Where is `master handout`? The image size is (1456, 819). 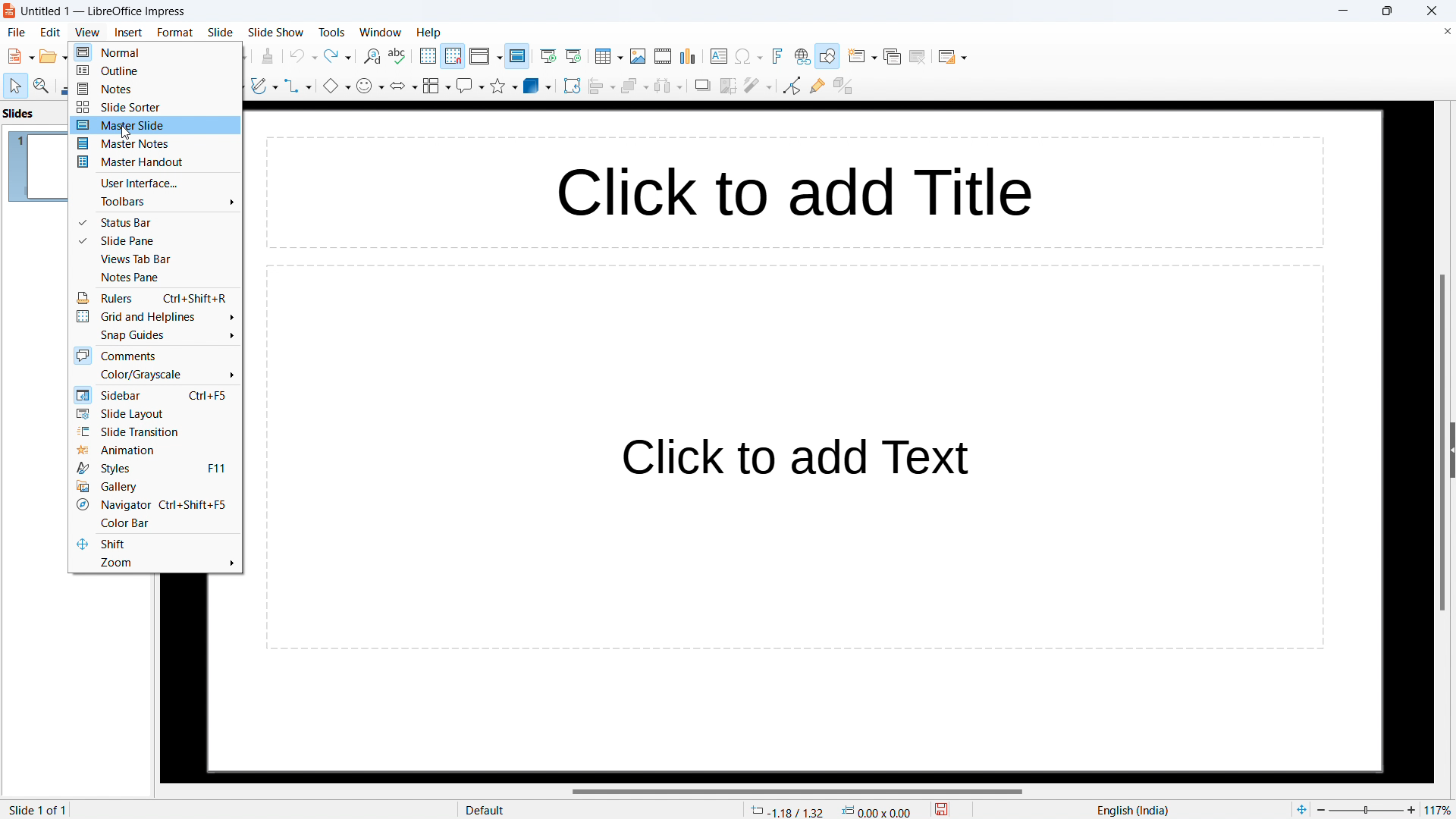
master handout is located at coordinates (155, 162).